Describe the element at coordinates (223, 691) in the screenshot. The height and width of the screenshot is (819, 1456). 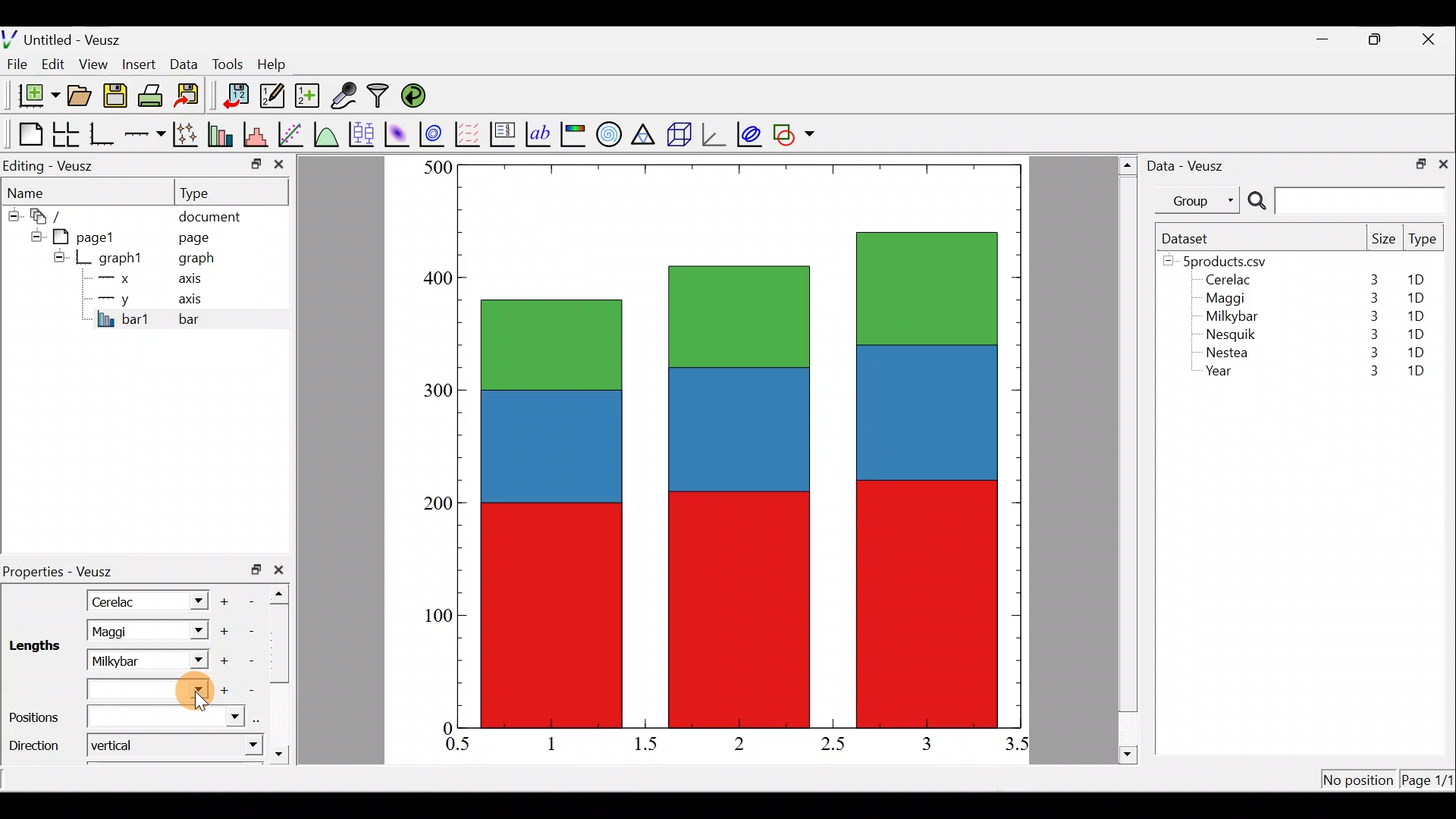
I see `Add another item` at that location.